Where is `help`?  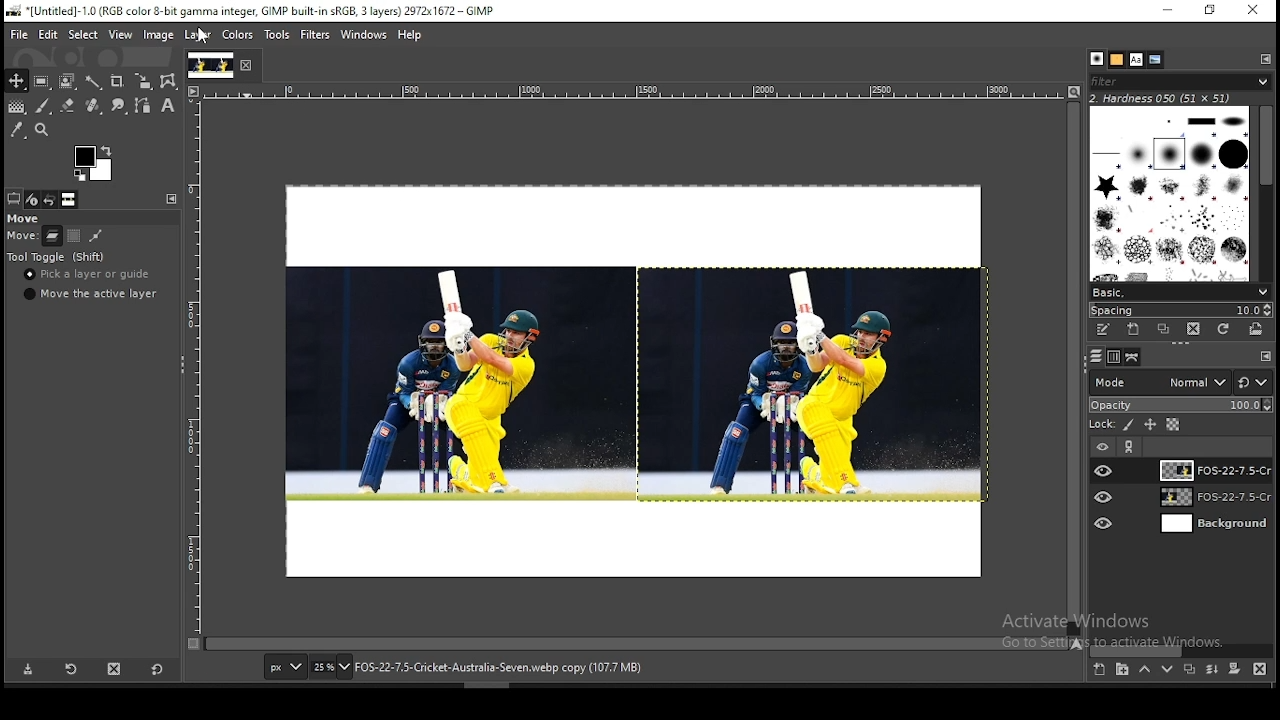 help is located at coordinates (410, 37).